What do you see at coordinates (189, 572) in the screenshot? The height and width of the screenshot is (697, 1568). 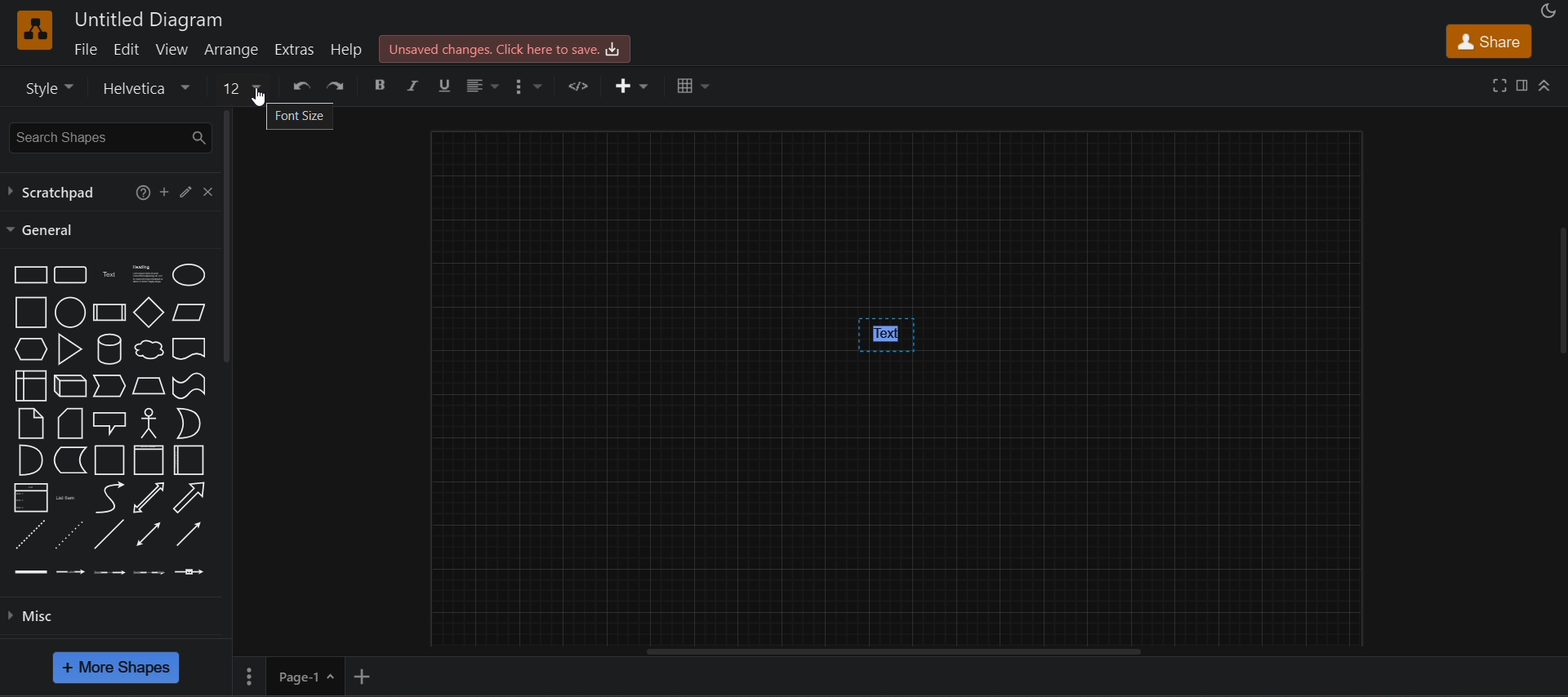 I see `Connector with symbol` at bounding box center [189, 572].